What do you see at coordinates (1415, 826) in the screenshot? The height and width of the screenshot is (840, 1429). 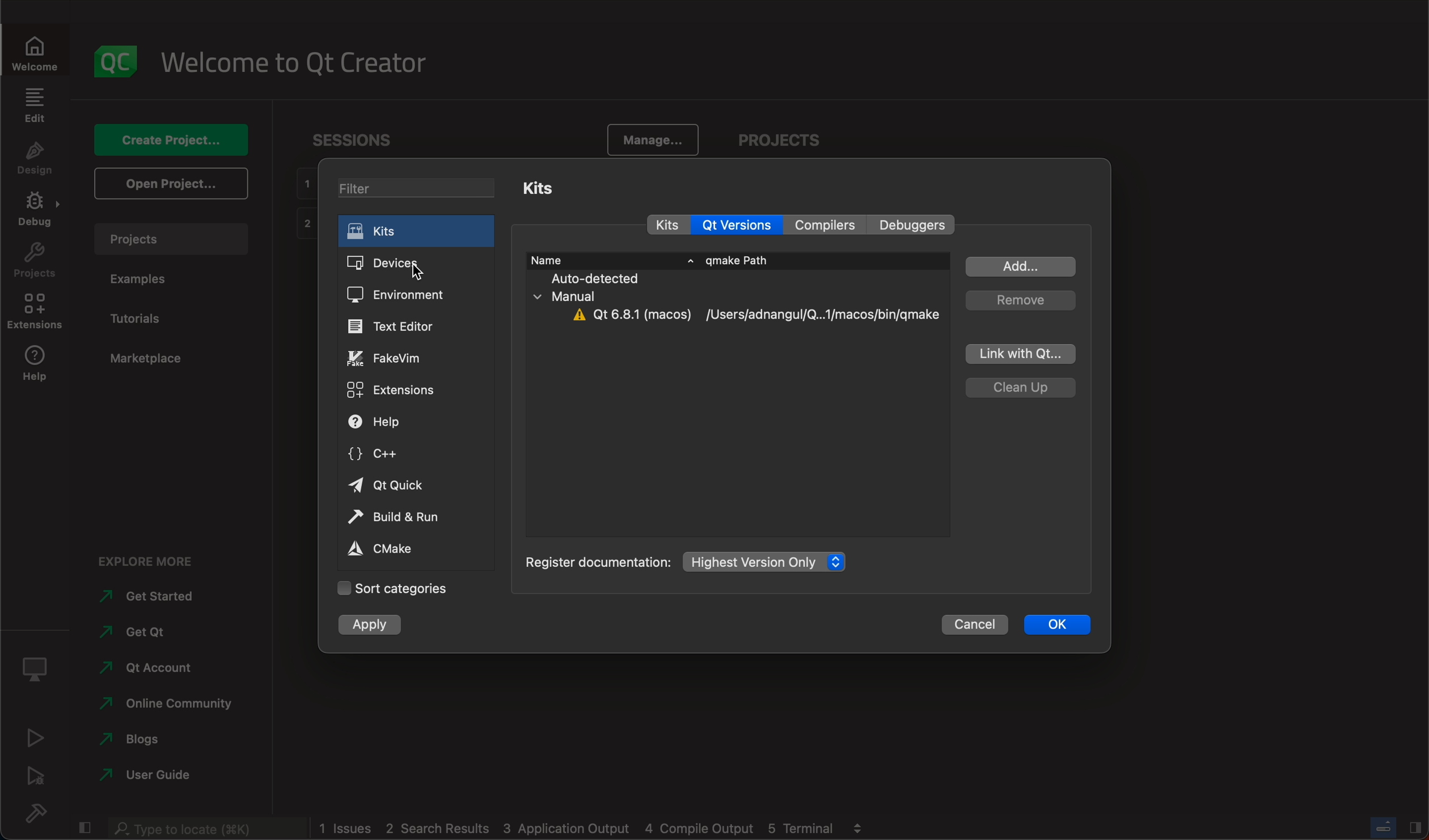 I see `hide/show right sidebar` at bounding box center [1415, 826].